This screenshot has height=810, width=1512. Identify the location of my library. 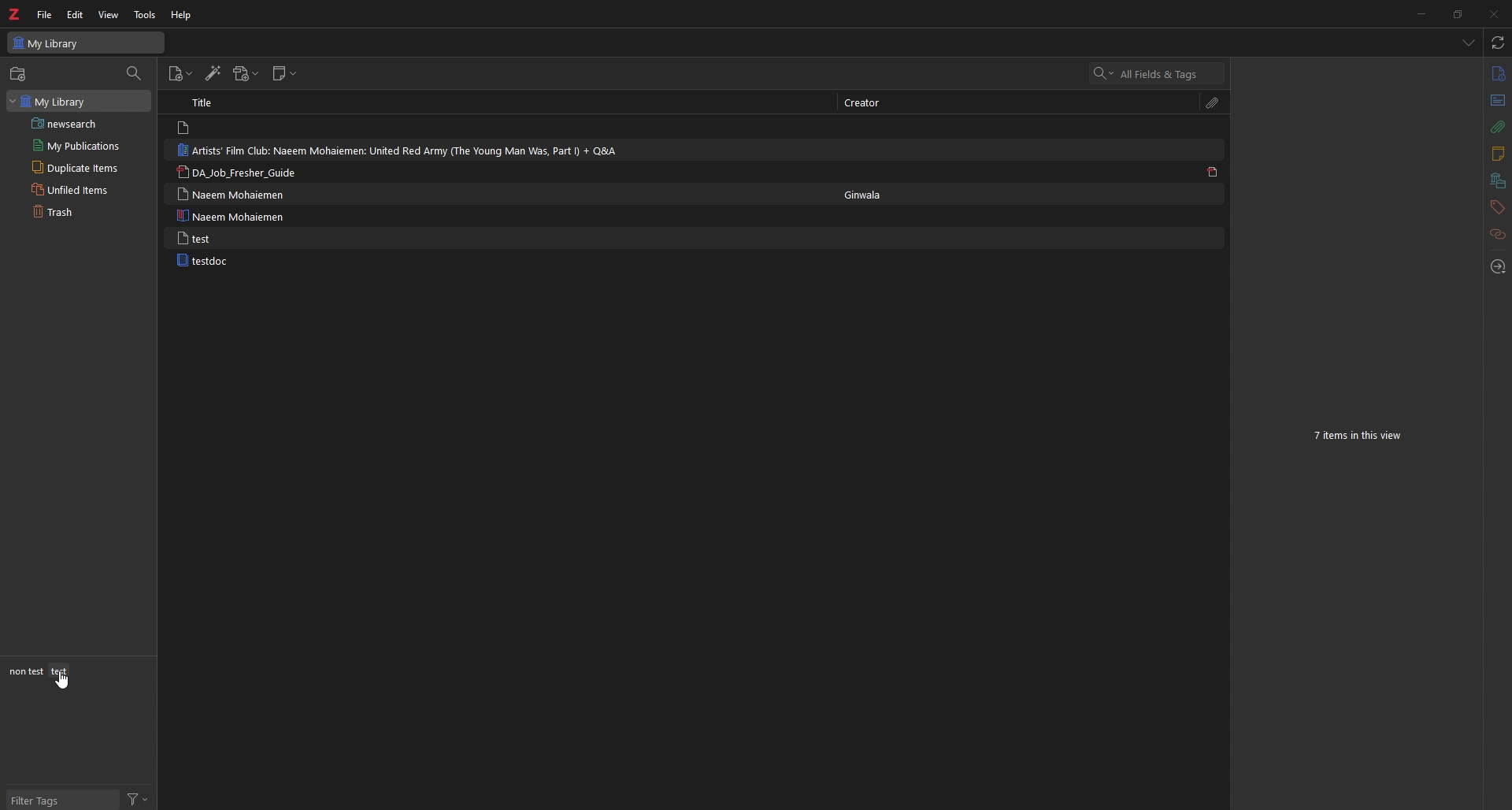
(79, 101).